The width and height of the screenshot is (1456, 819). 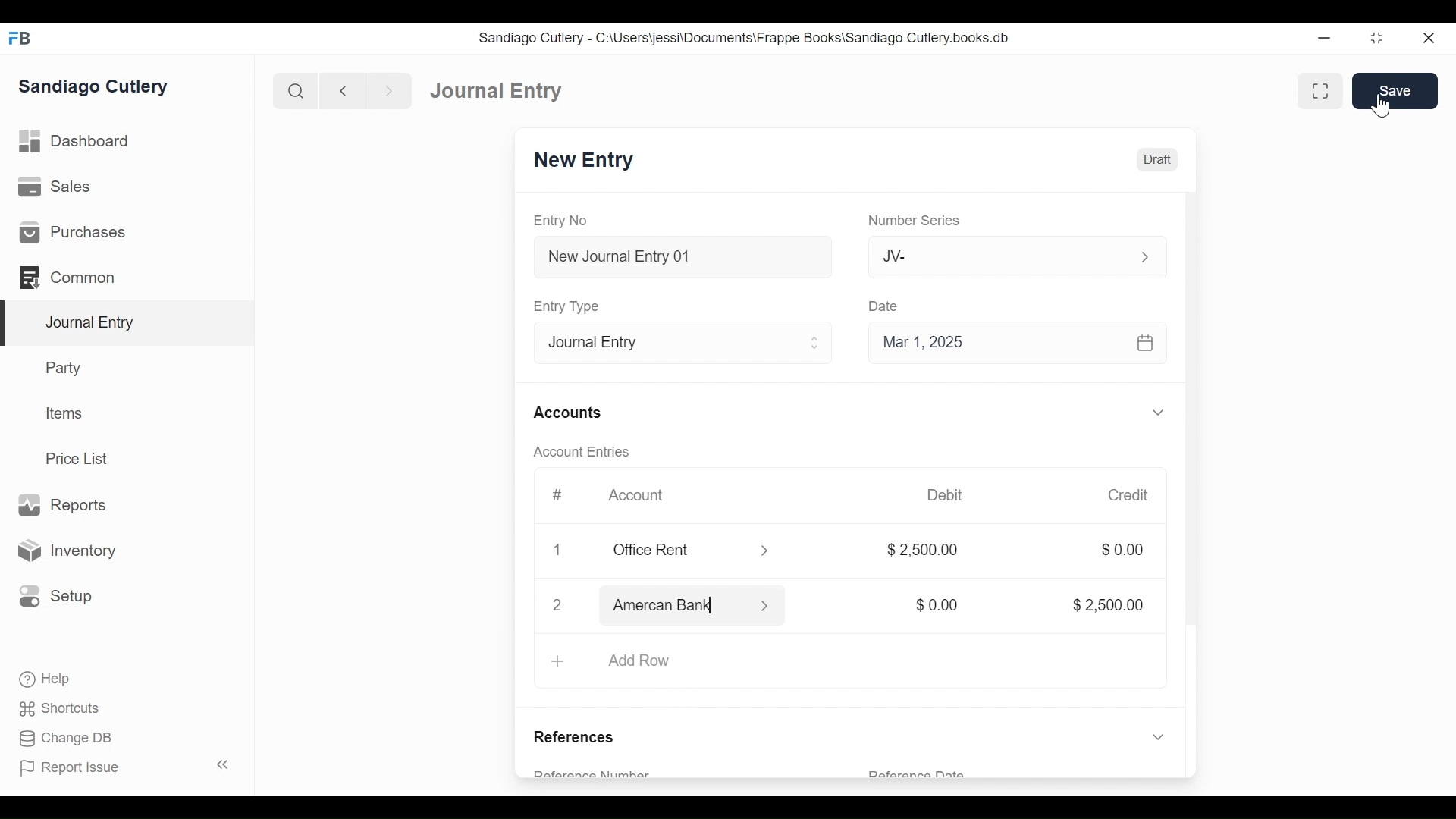 I want to click on Change DB, so click(x=59, y=739).